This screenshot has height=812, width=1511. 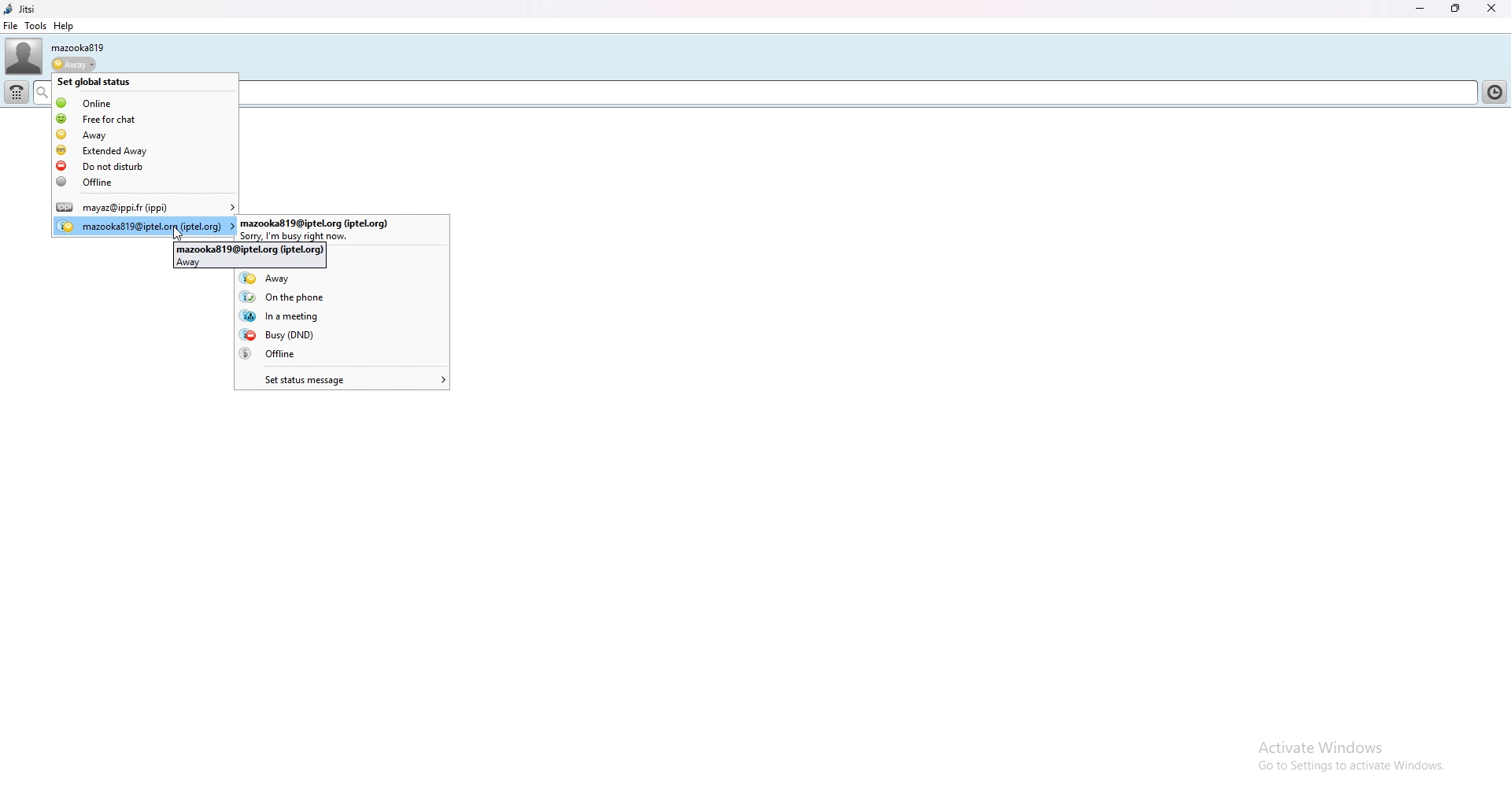 I want to click on away, so click(x=145, y=134).